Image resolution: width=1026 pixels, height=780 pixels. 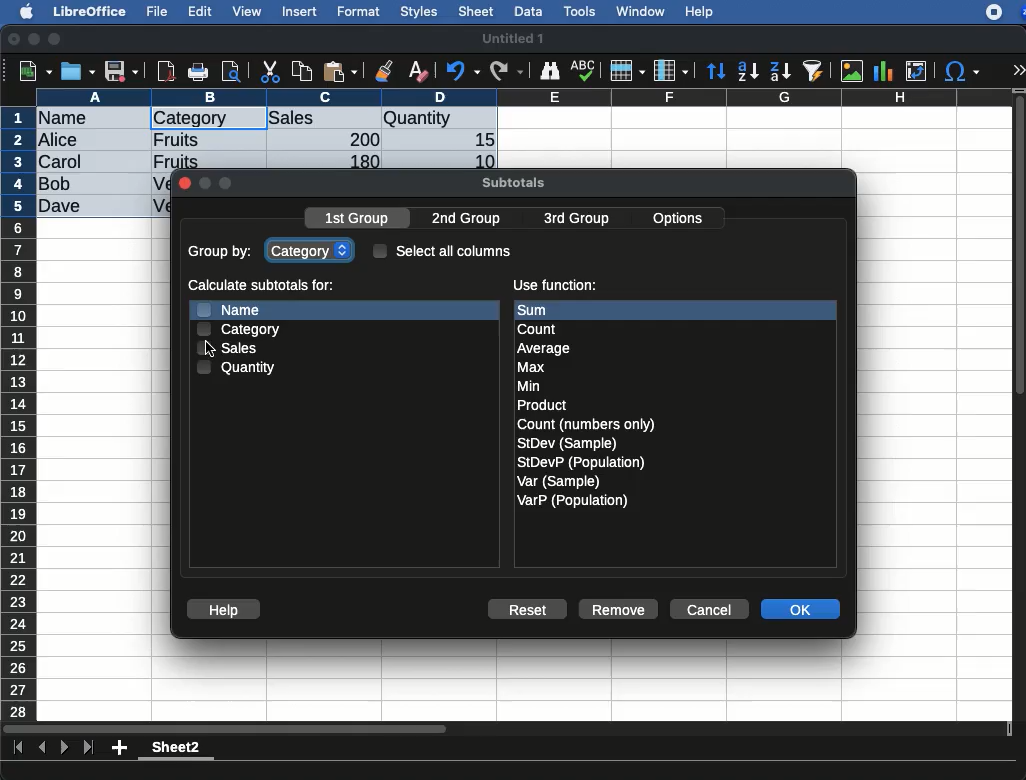 What do you see at coordinates (214, 349) in the screenshot?
I see `click` at bounding box center [214, 349].